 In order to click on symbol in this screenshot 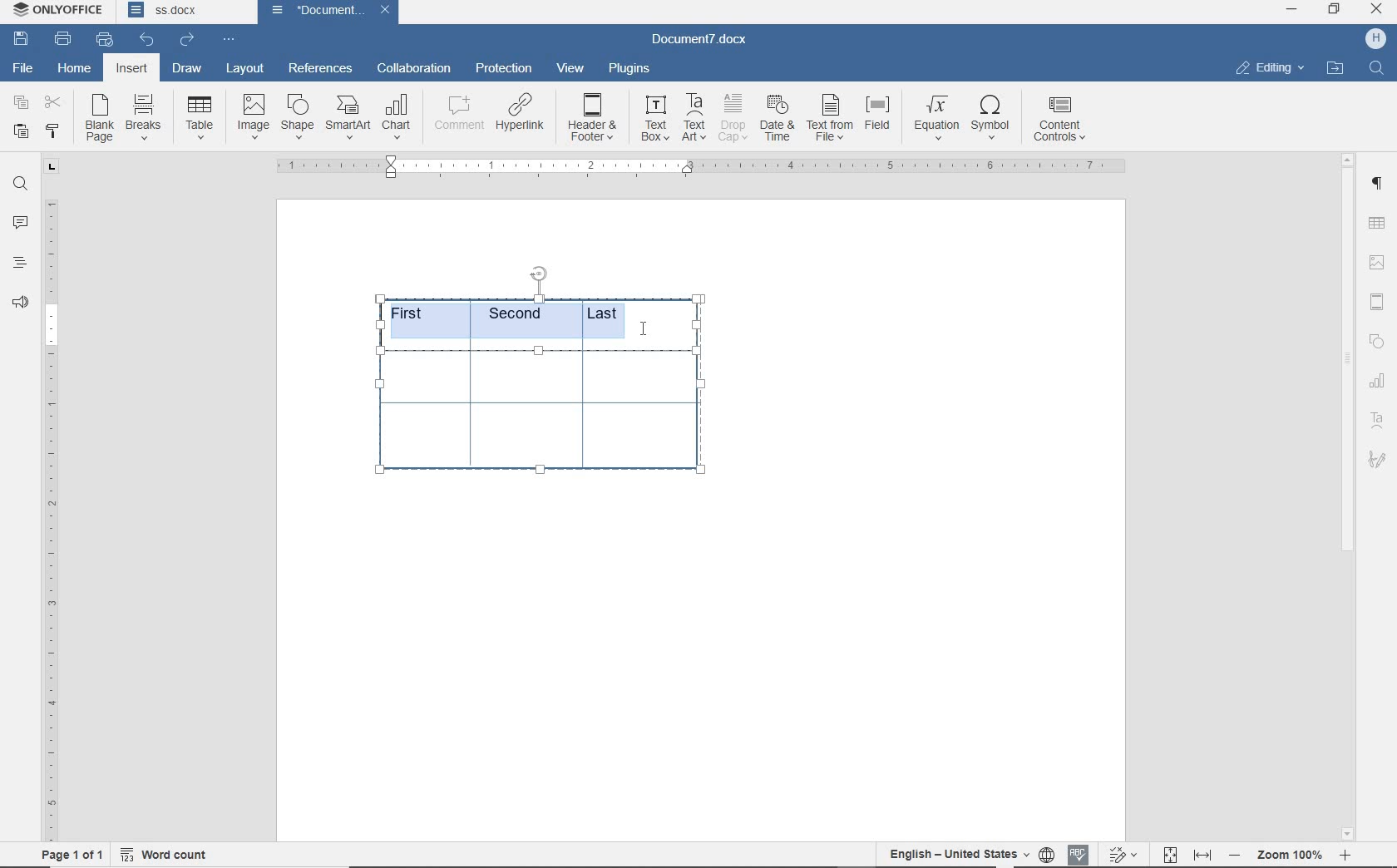, I will do `click(994, 116)`.